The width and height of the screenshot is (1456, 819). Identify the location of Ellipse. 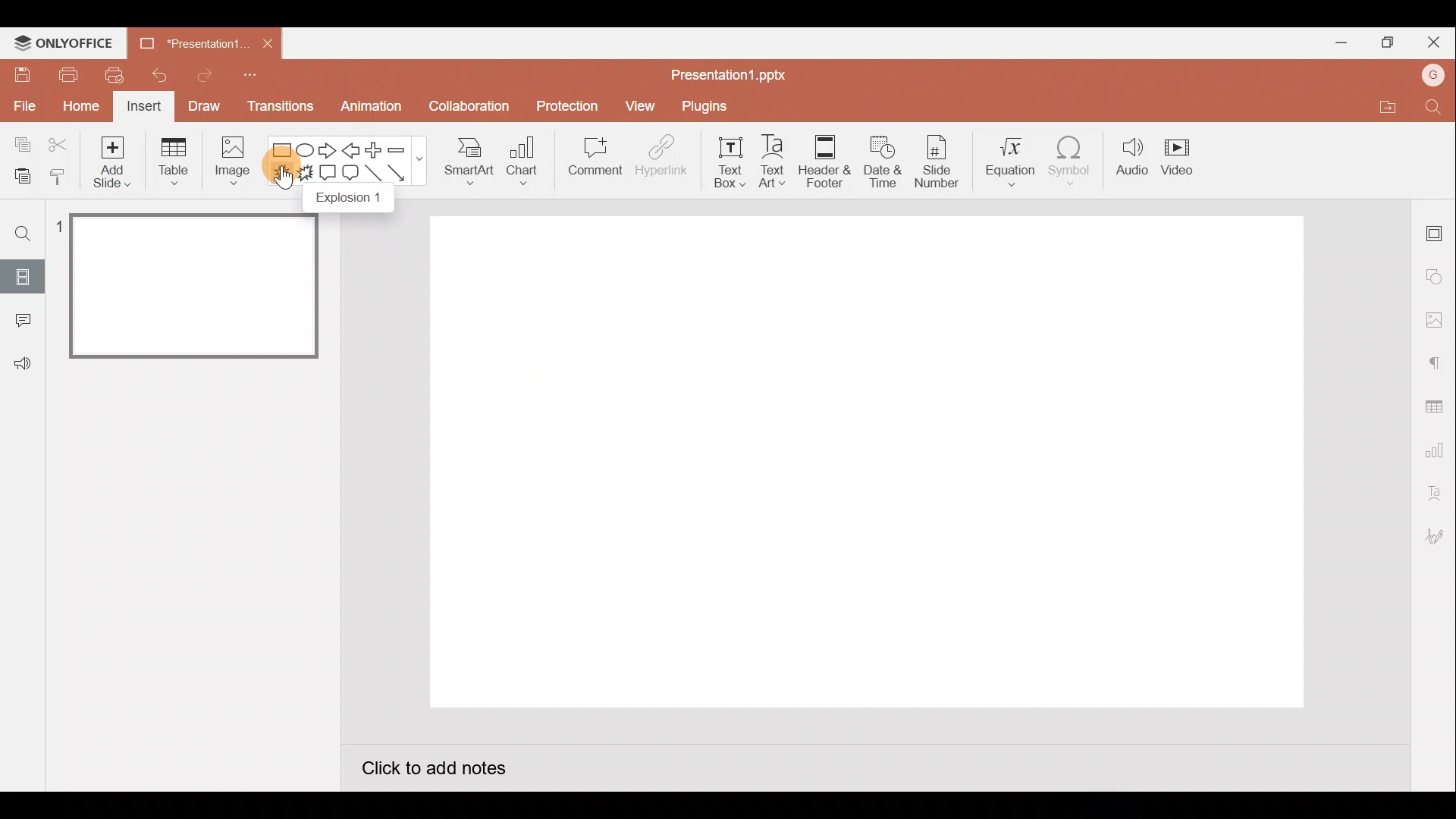
(308, 151).